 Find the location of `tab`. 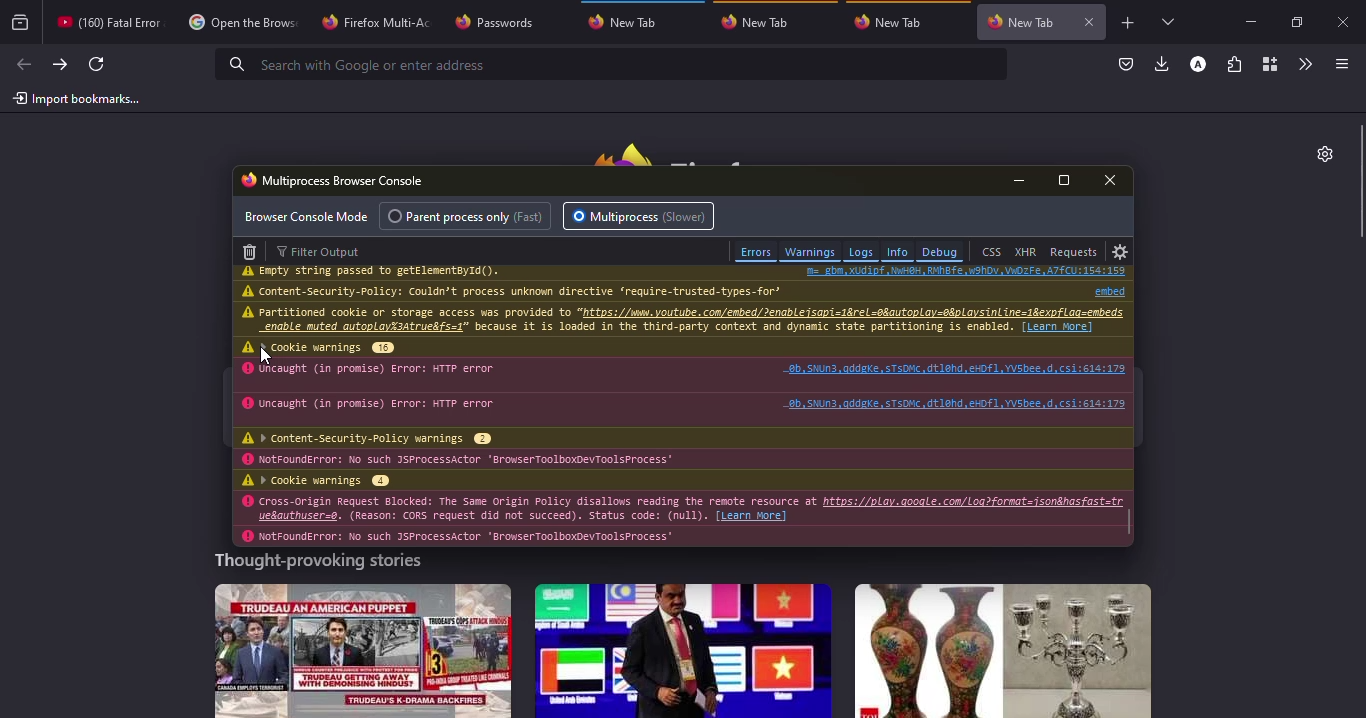

tab is located at coordinates (240, 24).